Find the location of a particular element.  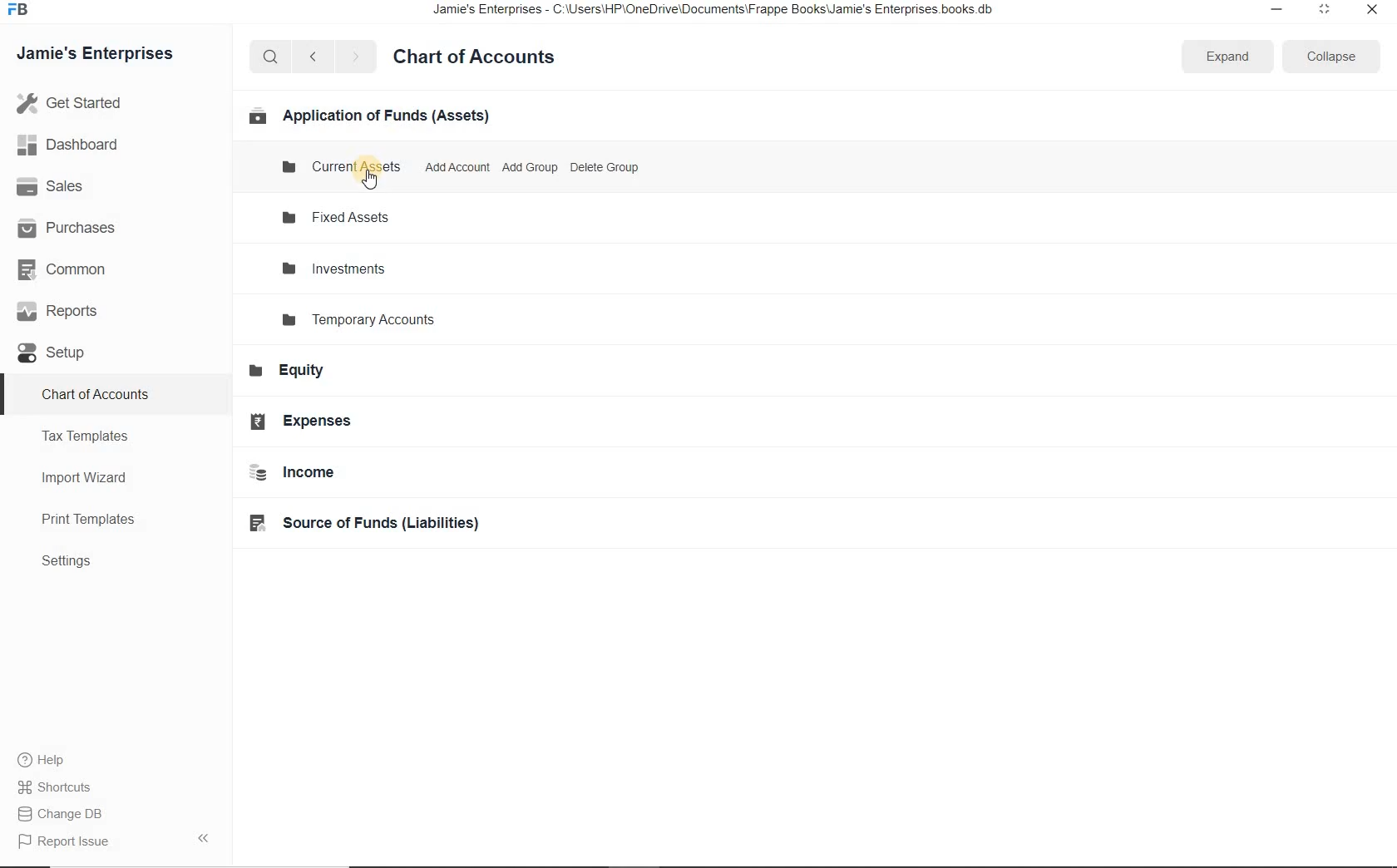

maximize is located at coordinates (1323, 9).